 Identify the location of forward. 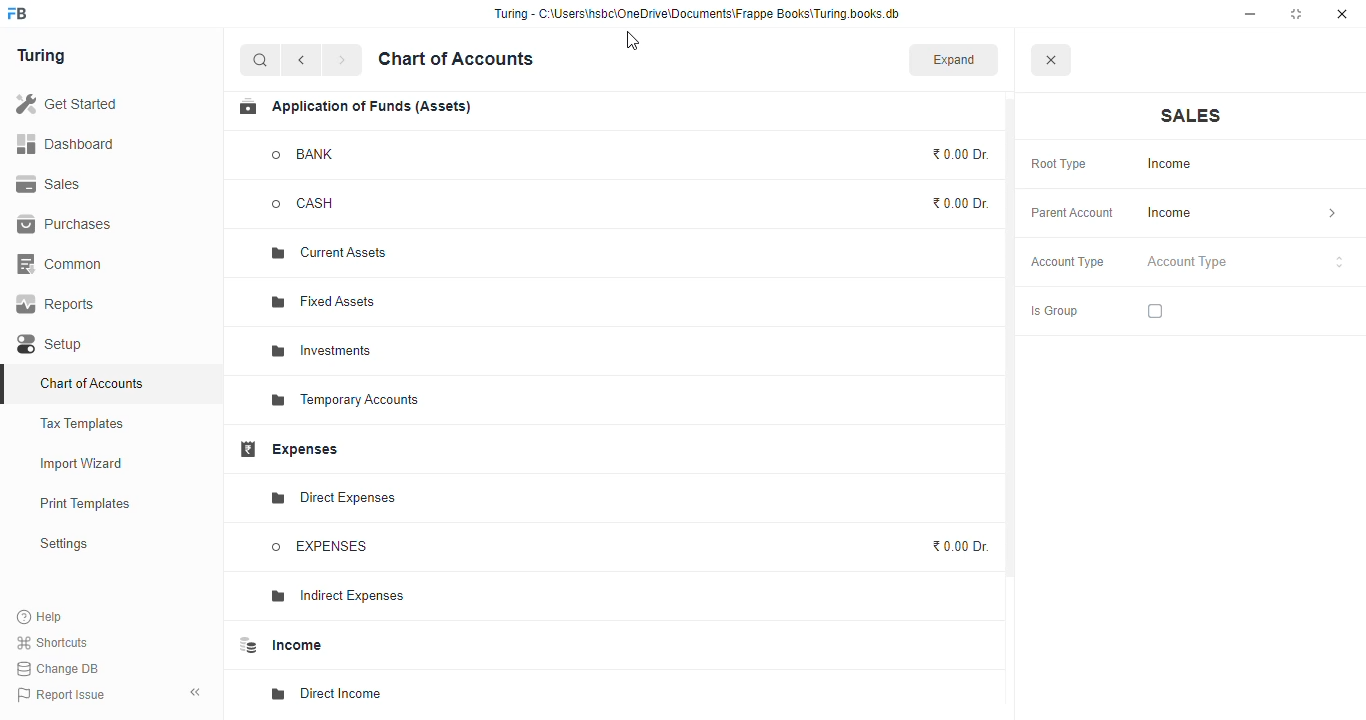
(342, 60).